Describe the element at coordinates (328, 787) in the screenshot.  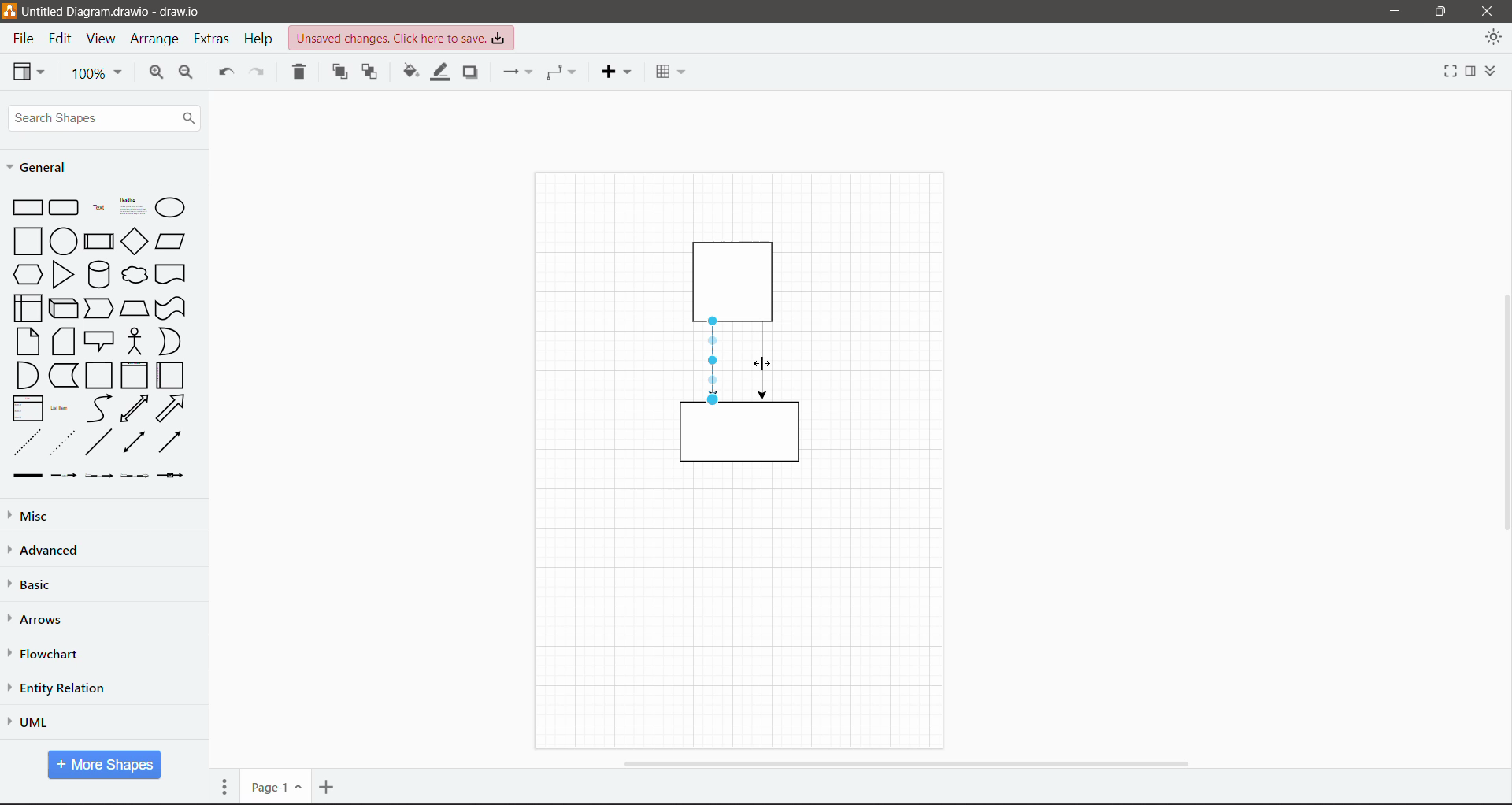
I see `Insert Page` at that location.